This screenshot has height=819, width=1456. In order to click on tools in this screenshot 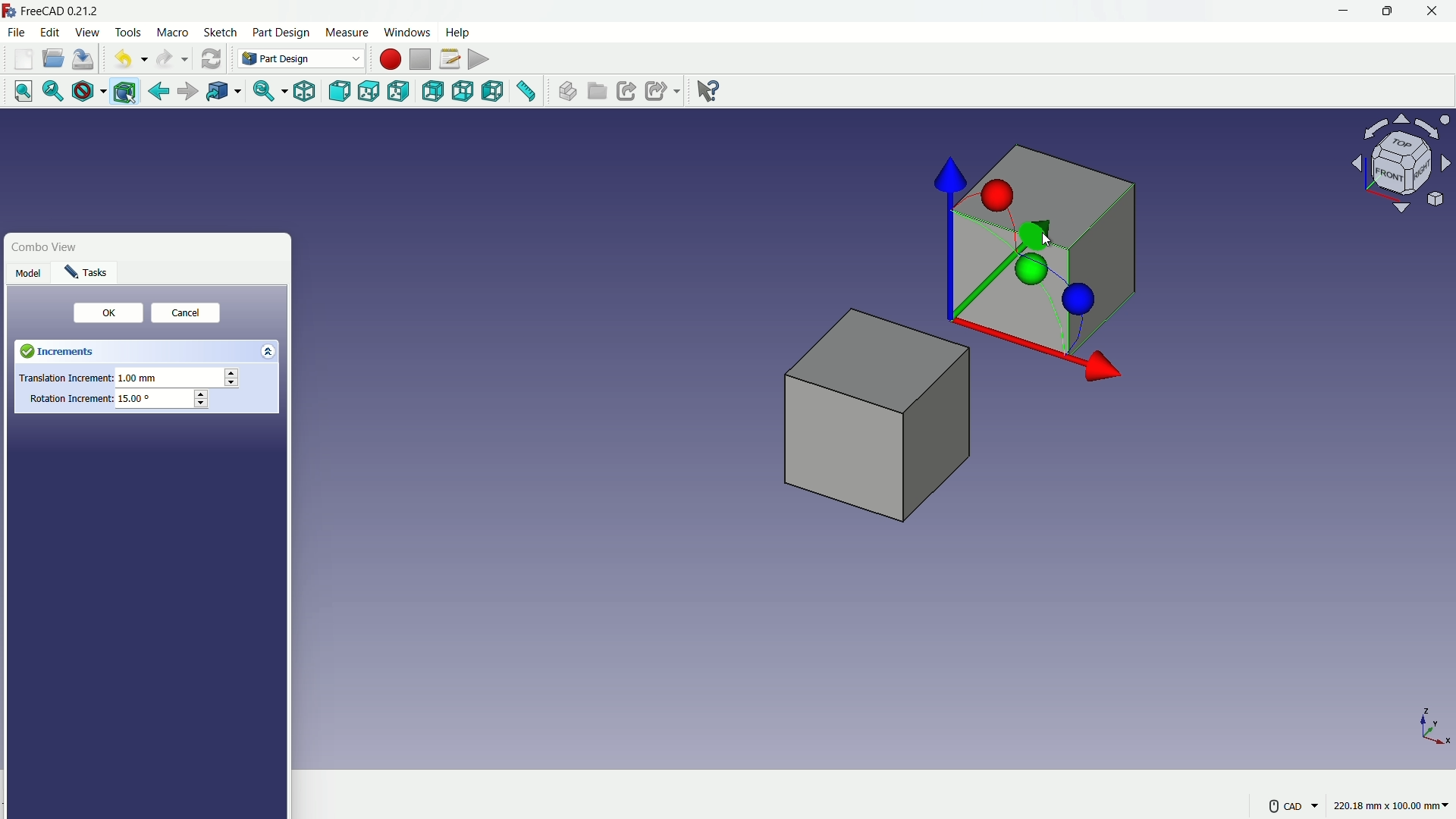, I will do `click(130, 33)`.